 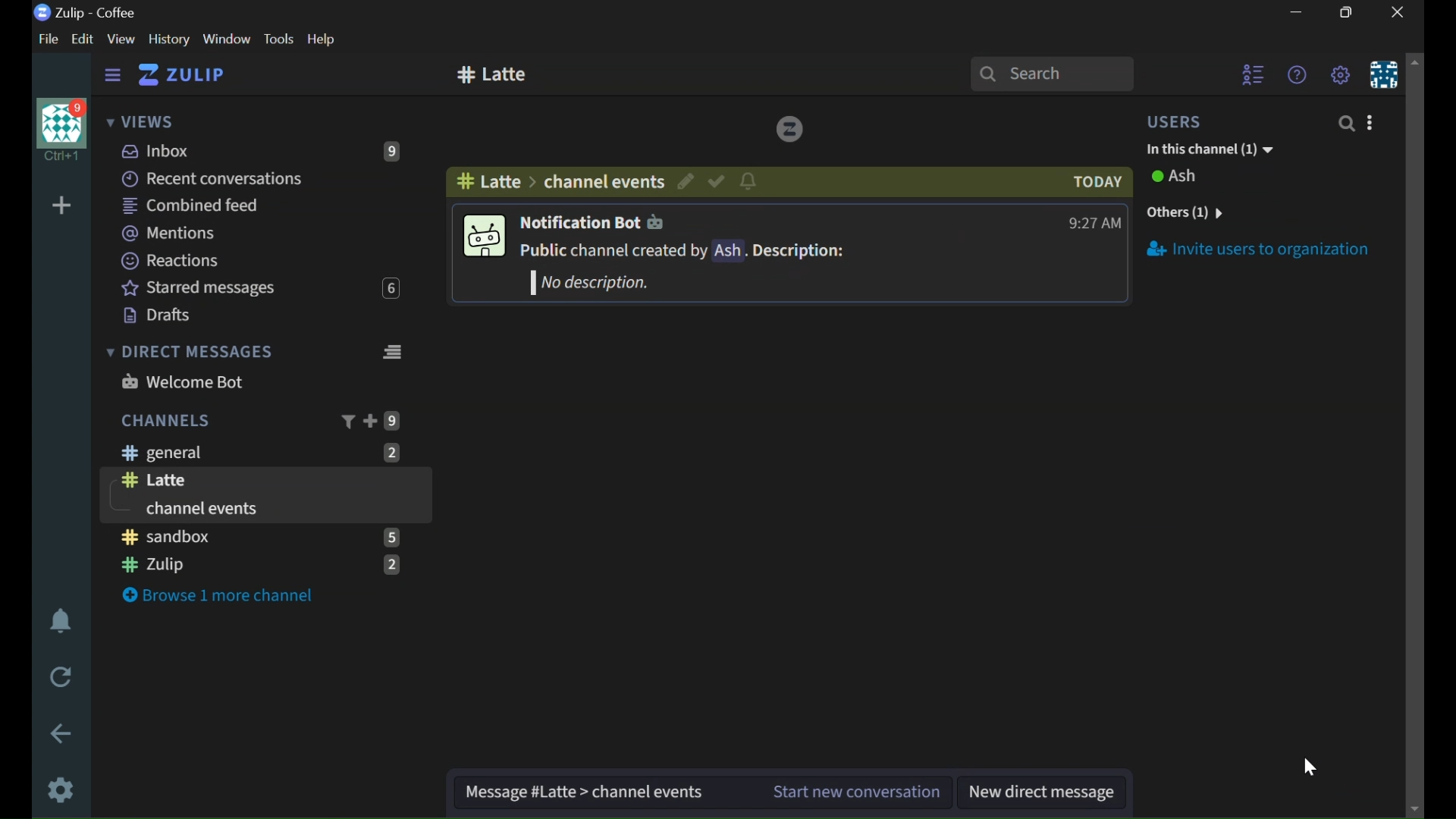 What do you see at coordinates (255, 381) in the screenshot?
I see `WELCOME BOT` at bounding box center [255, 381].